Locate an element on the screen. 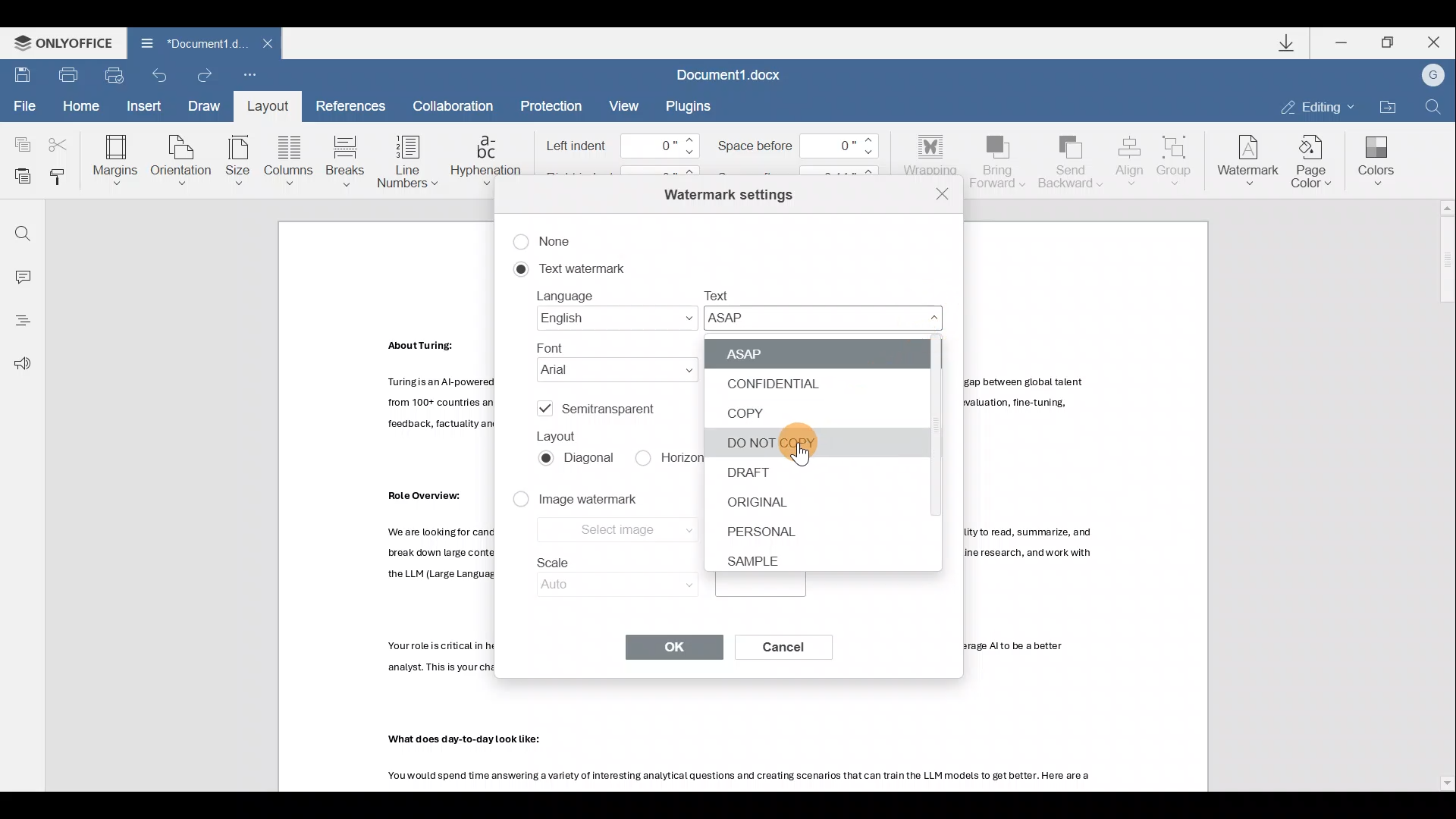 The height and width of the screenshot is (819, 1456). Layout is located at coordinates (272, 107).